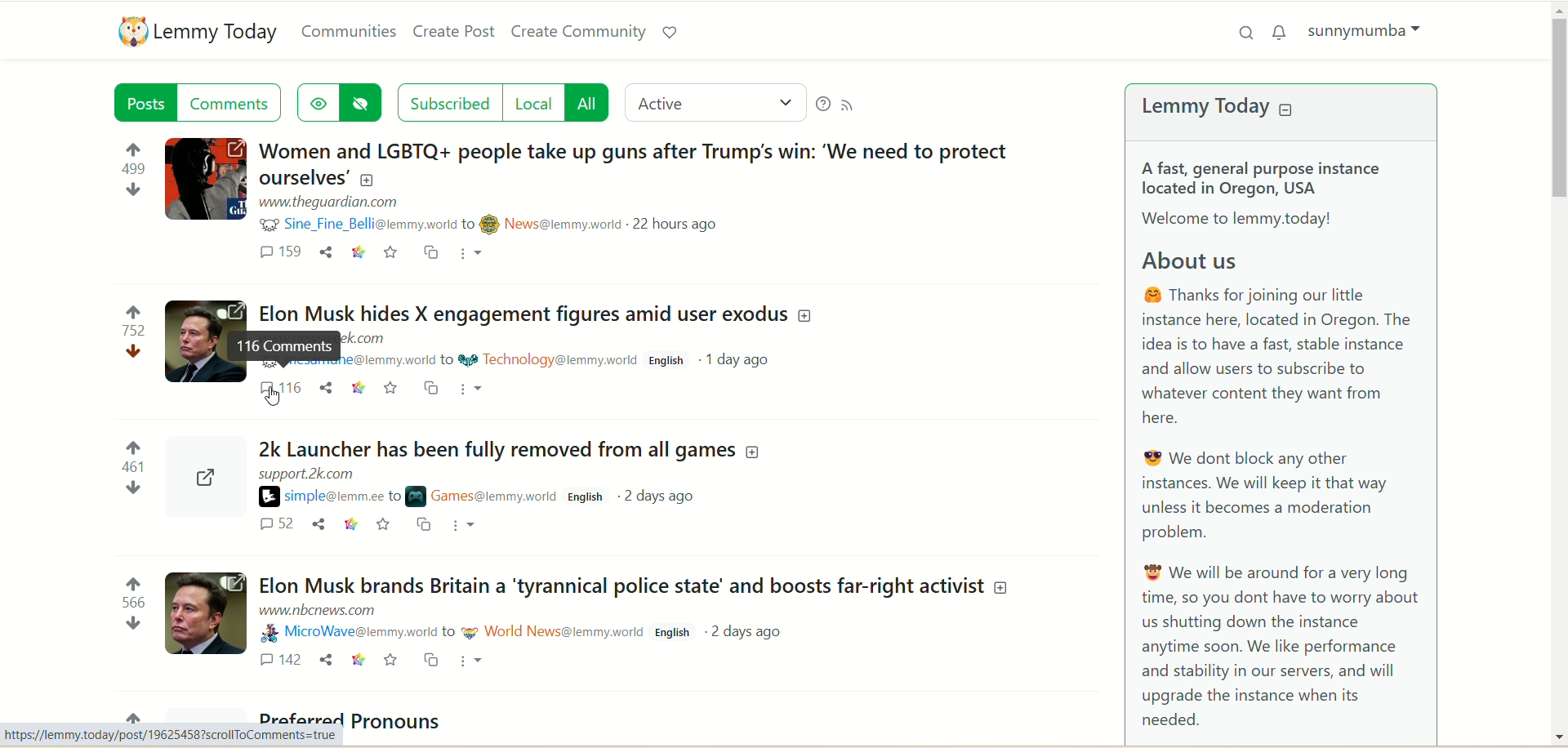 This screenshot has height=748, width=1568. Describe the element at coordinates (204, 178) in the screenshot. I see `Profile` at that location.